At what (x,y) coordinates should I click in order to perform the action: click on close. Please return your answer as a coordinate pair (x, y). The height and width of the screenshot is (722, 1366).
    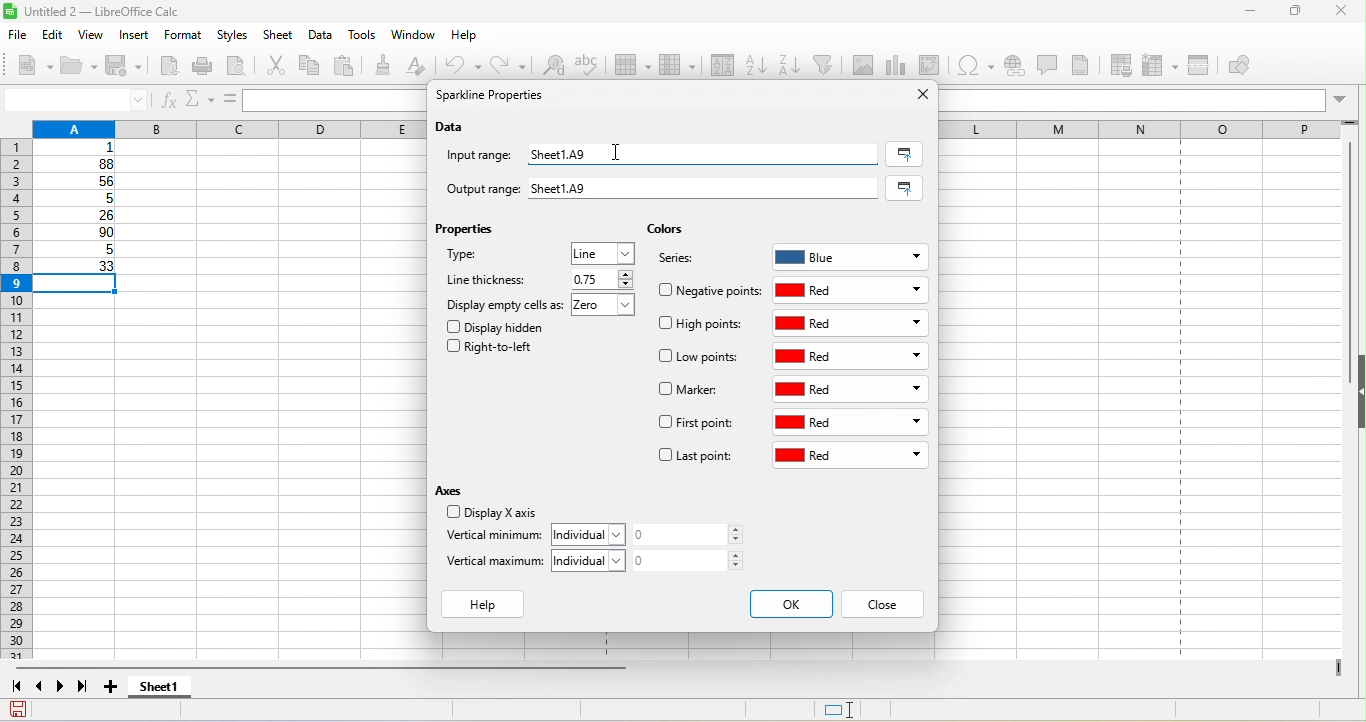
    Looking at the image, I should click on (883, 605).